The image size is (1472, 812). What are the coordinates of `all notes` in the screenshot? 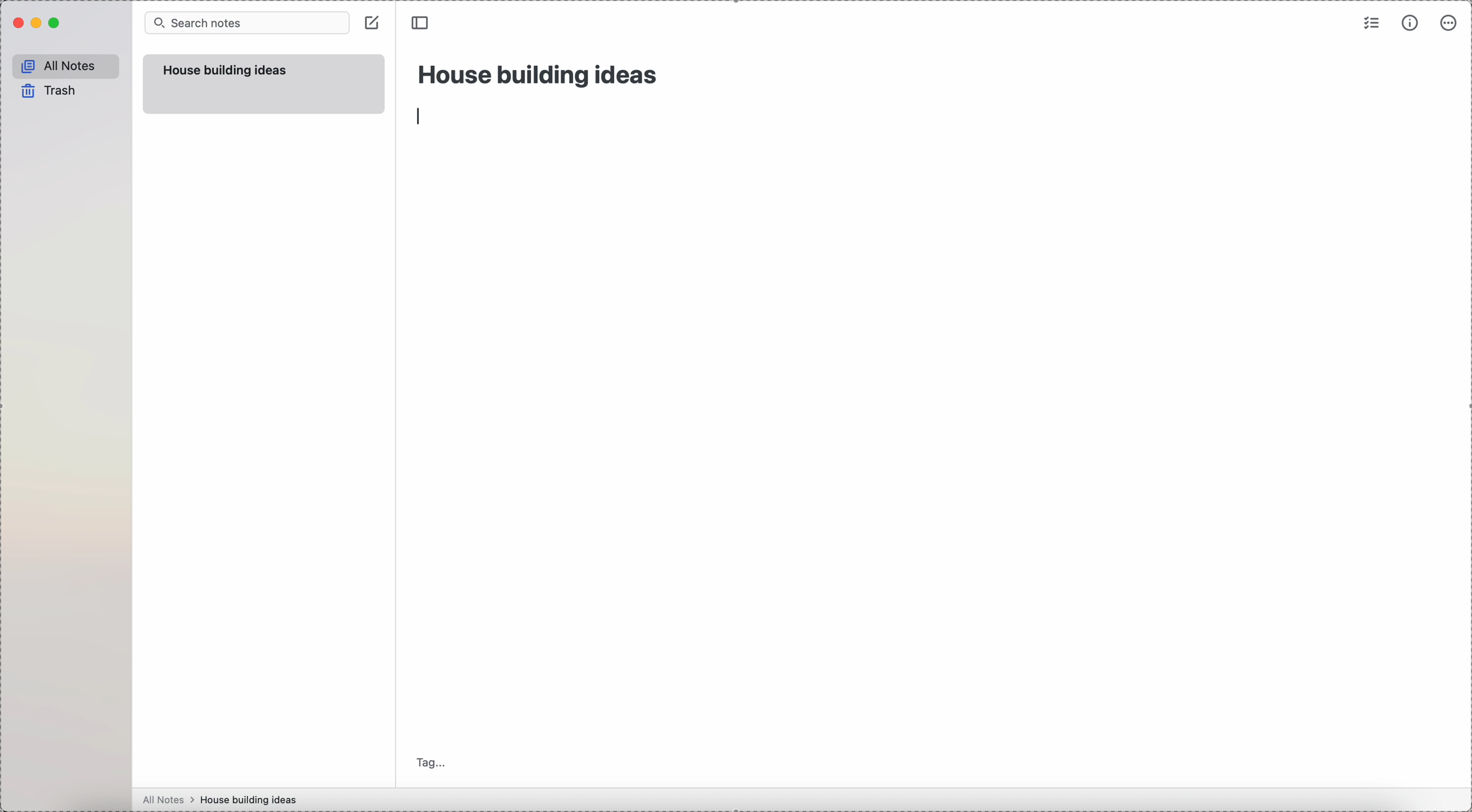 It's located at (169, 800).